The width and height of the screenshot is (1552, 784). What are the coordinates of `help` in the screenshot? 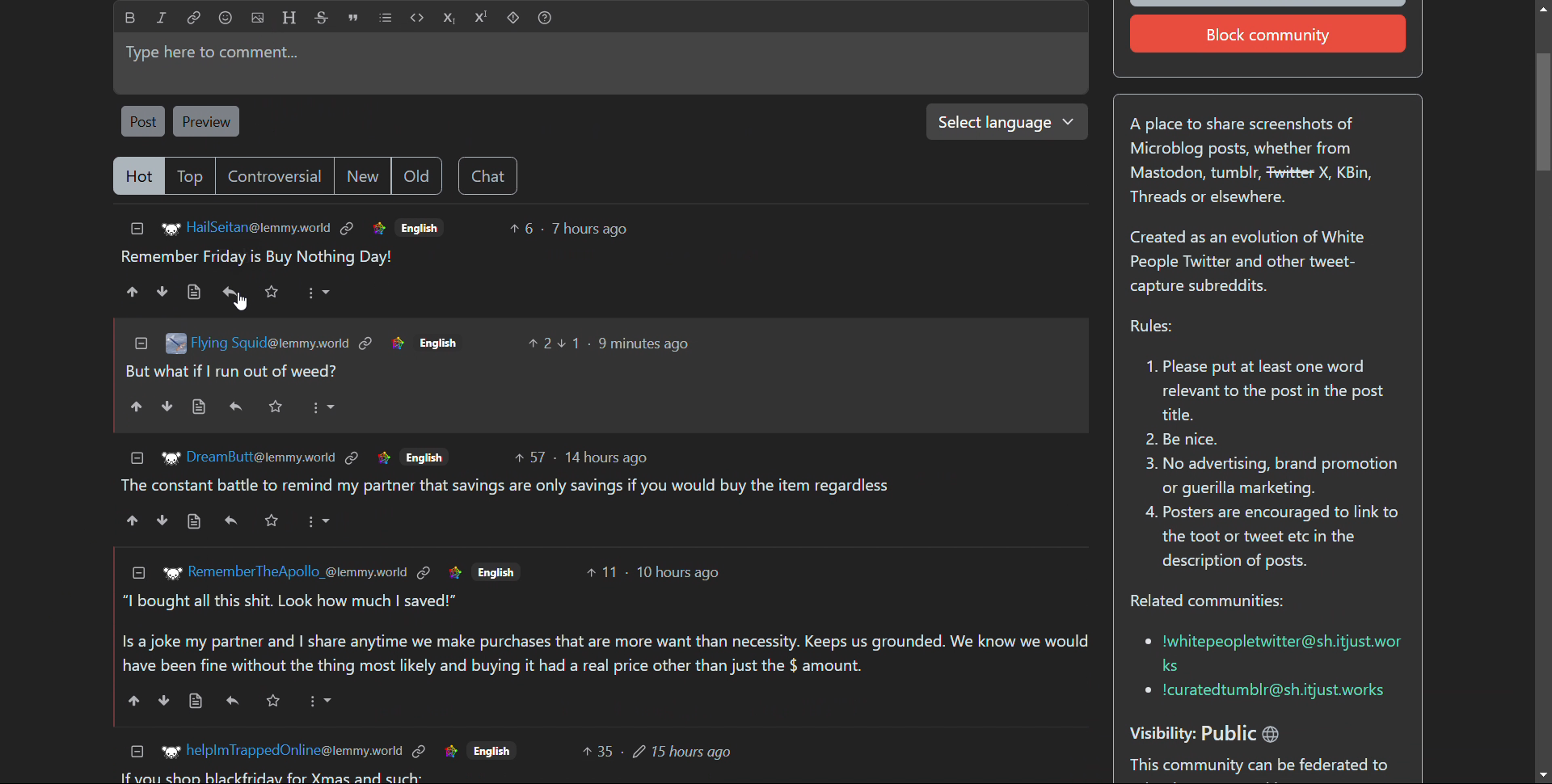 It's located at (544, 19).